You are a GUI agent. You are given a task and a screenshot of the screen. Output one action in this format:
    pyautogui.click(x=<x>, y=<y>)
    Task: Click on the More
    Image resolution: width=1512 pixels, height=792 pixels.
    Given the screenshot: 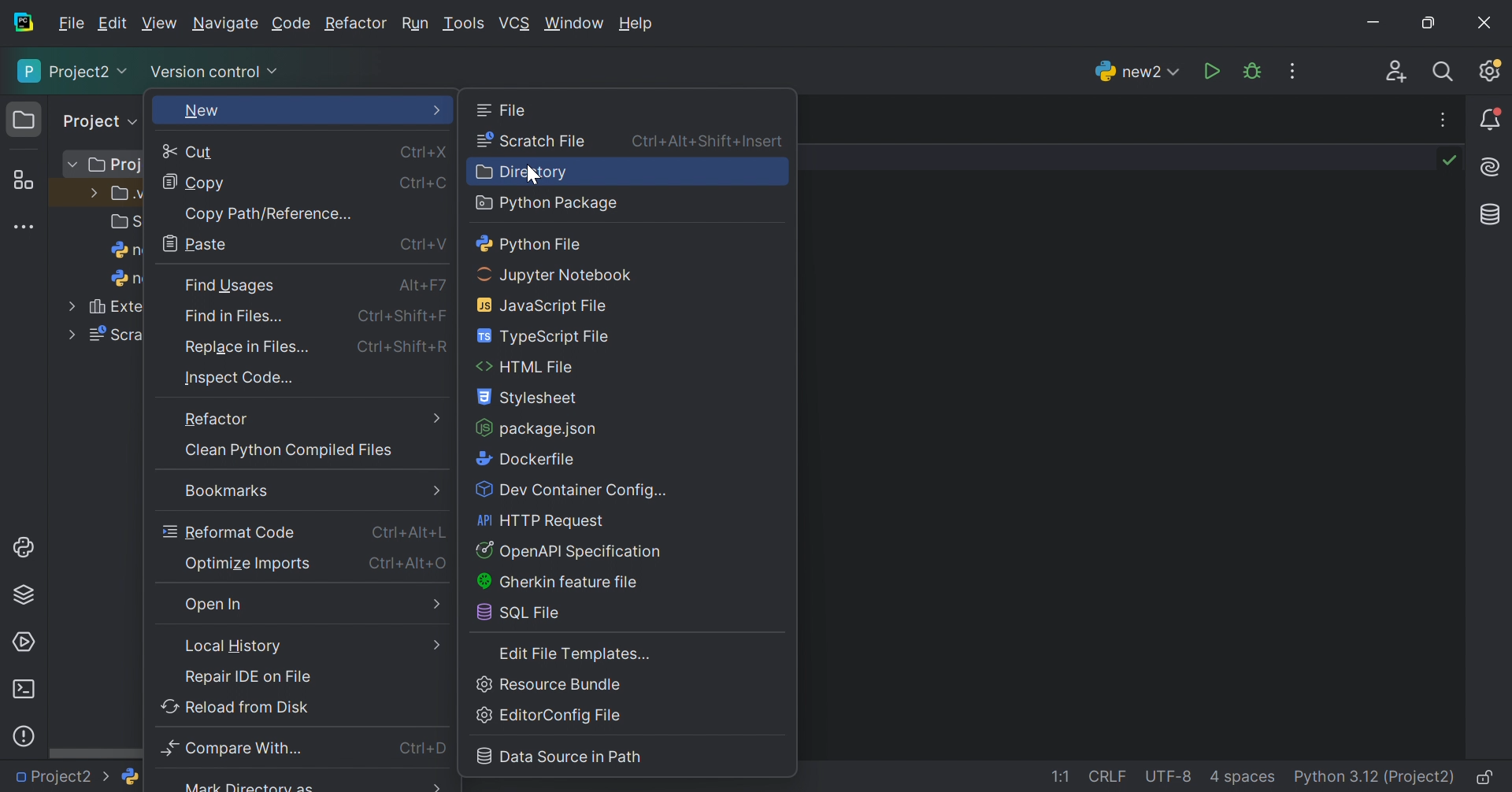 What is the action you would take?
    pyautogui.click(x=70, y=162)
    